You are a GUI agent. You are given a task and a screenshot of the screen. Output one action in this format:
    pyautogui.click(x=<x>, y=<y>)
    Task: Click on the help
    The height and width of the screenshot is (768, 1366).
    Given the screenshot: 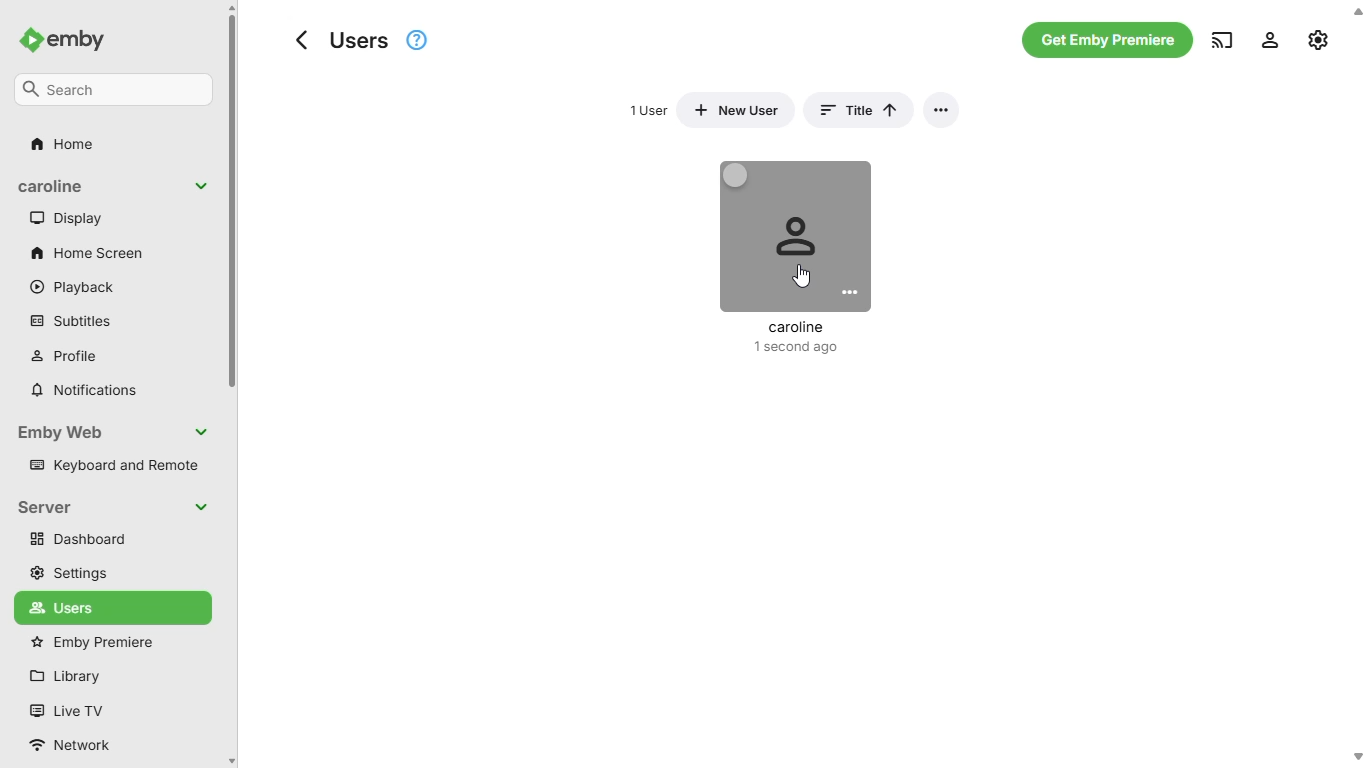 What is the action you would take?
    pyautogui.click(x=417, y=39)
    